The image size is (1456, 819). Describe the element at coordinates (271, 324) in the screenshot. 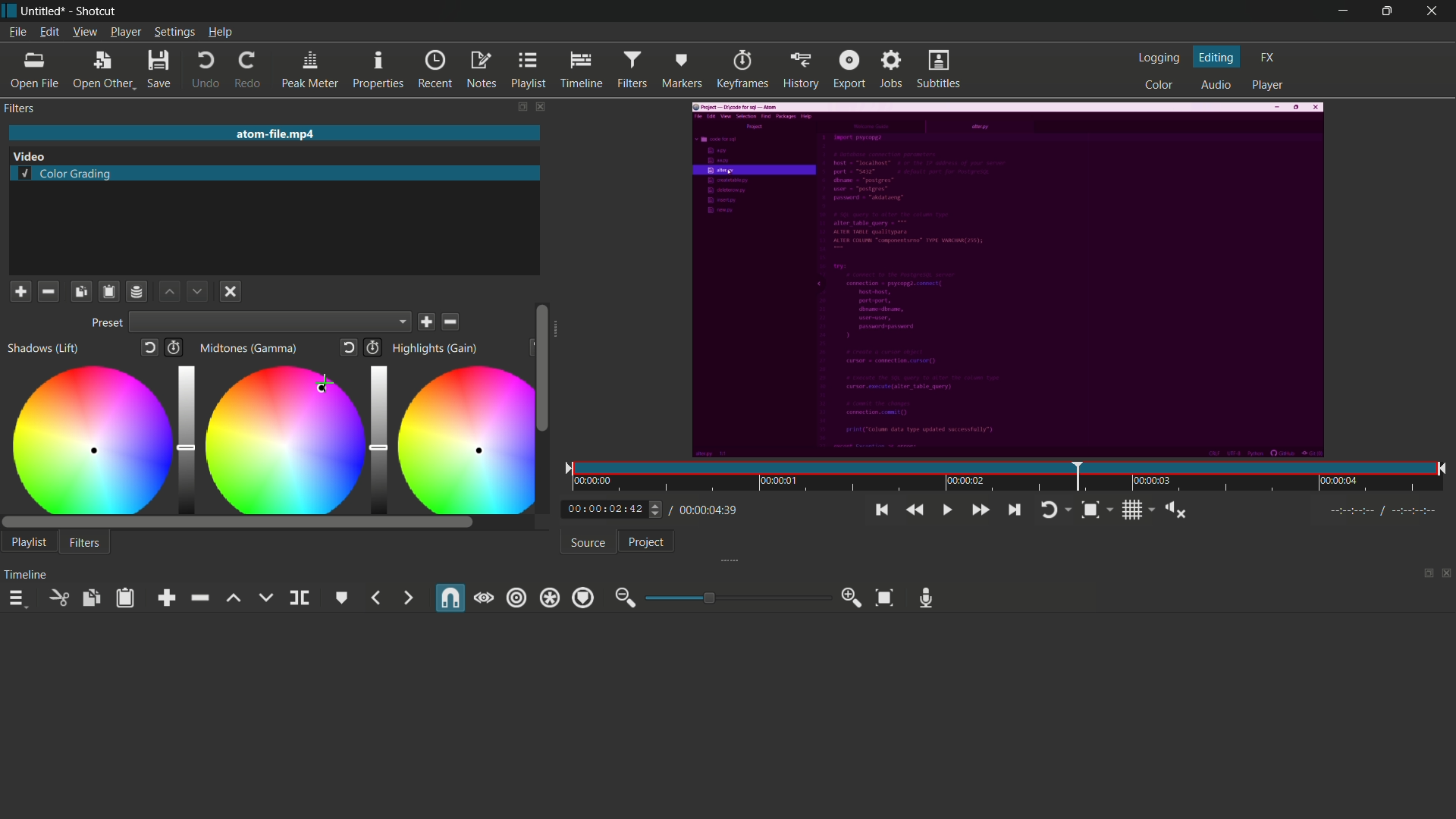

I see `dropdown` at that location.